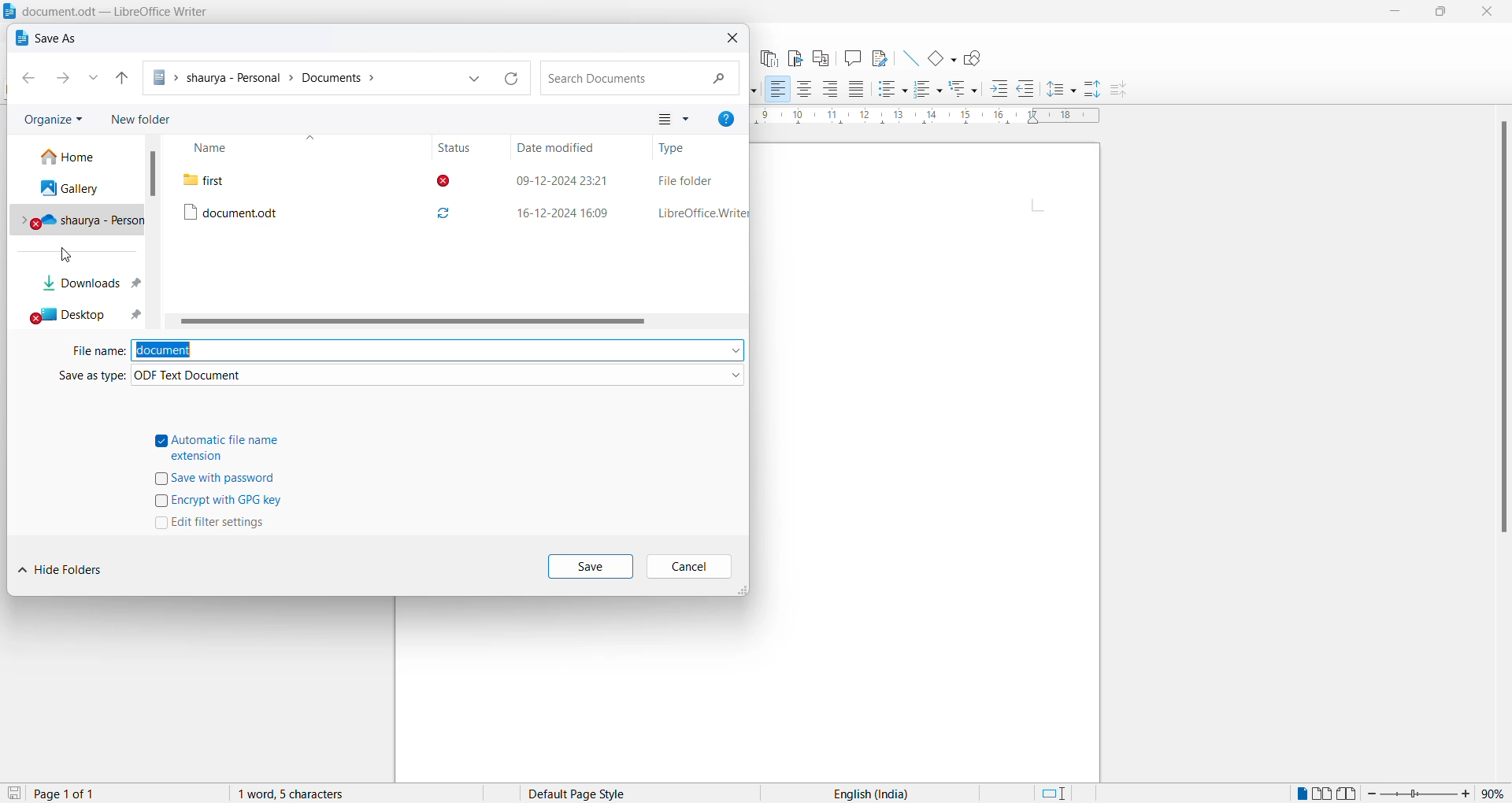 The width and height of the screenshot is (1512, 803). What do you see at coordinates (69, 79) in the screenshot?
I see `Go forward` at bounding box center [69, 79].